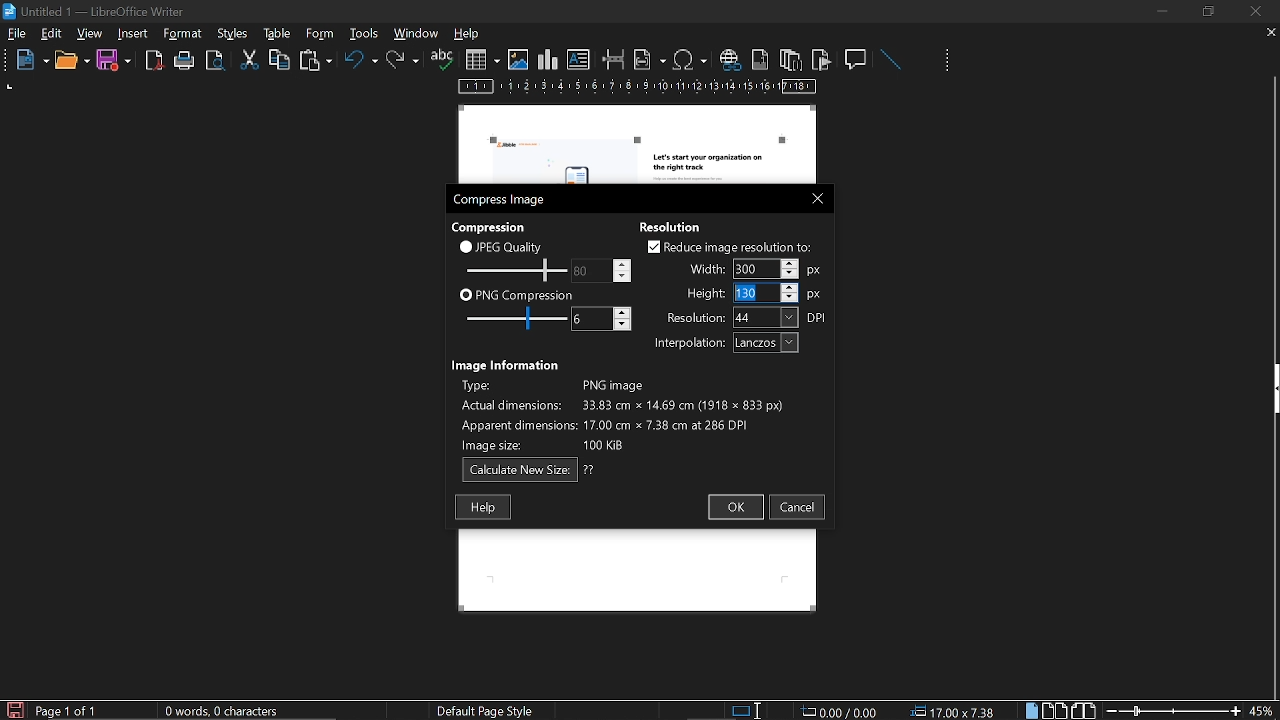 This screenshot has width=1280, height=720. I want to click on standard selection, so click(748, 710).